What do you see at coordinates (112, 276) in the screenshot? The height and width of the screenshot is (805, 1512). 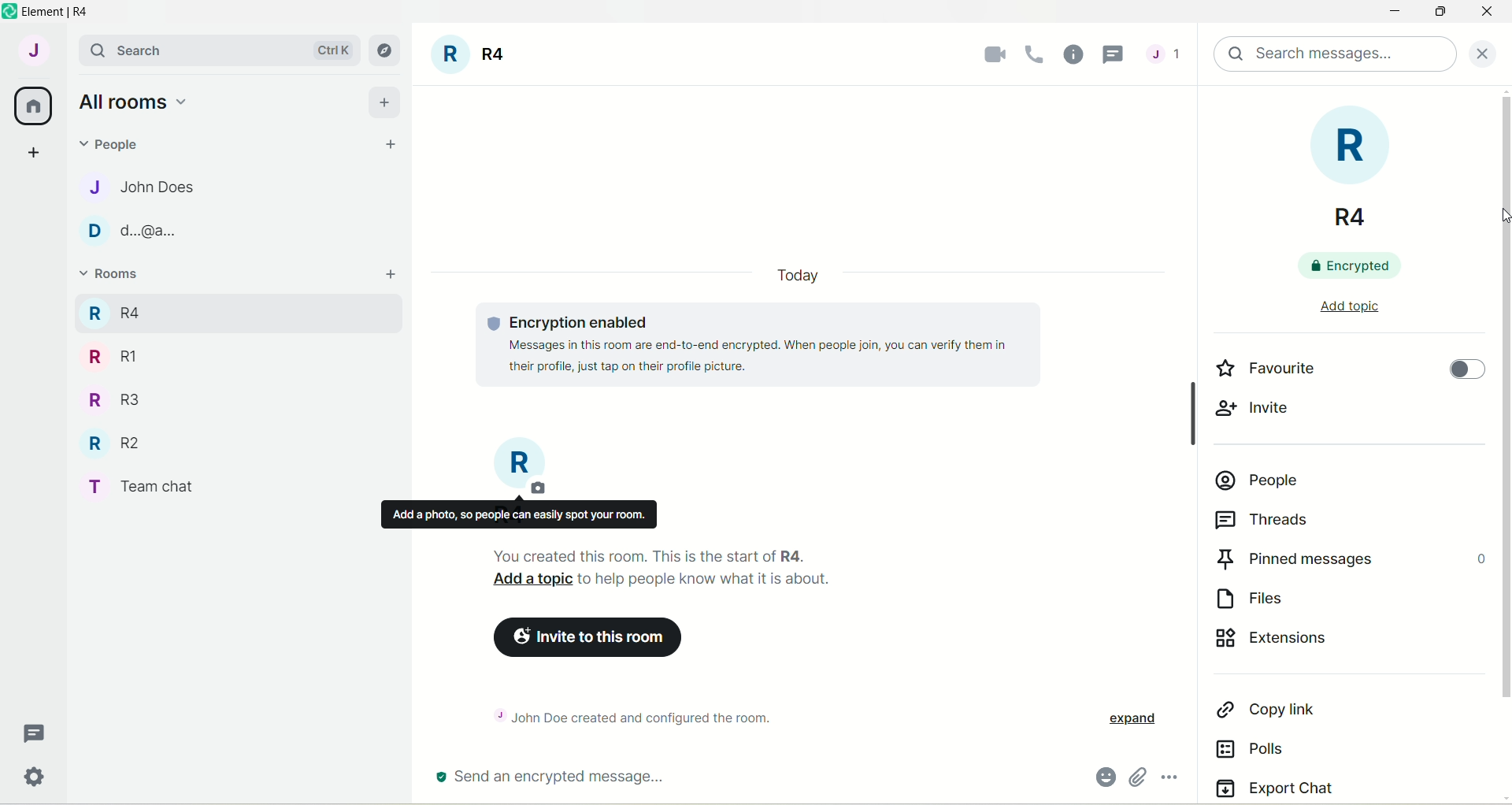 I see `rooms` at bounding box center [112, 276].